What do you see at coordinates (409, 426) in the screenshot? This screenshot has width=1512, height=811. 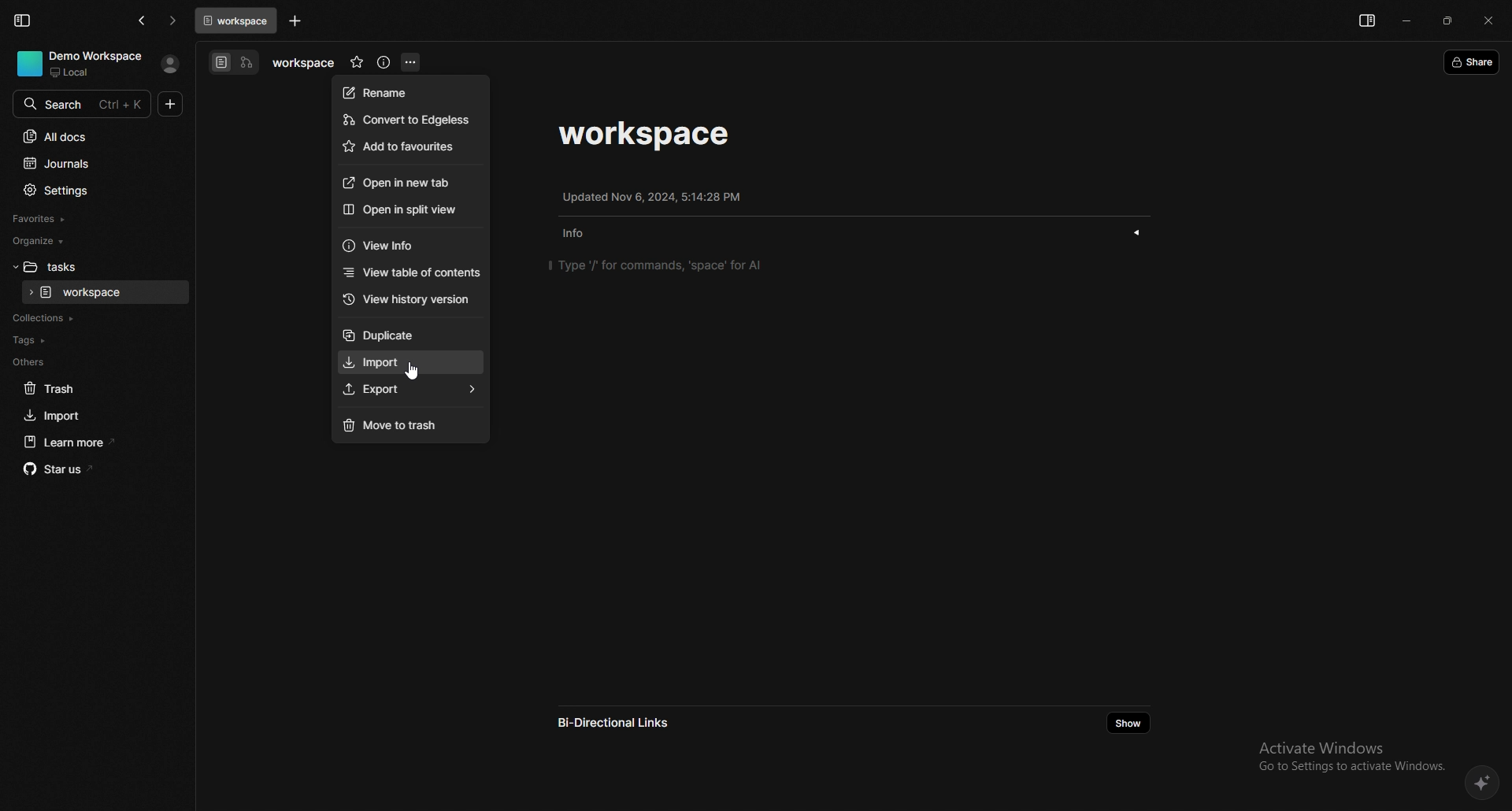 I see `move to trash` at bounding box center [409, 426].